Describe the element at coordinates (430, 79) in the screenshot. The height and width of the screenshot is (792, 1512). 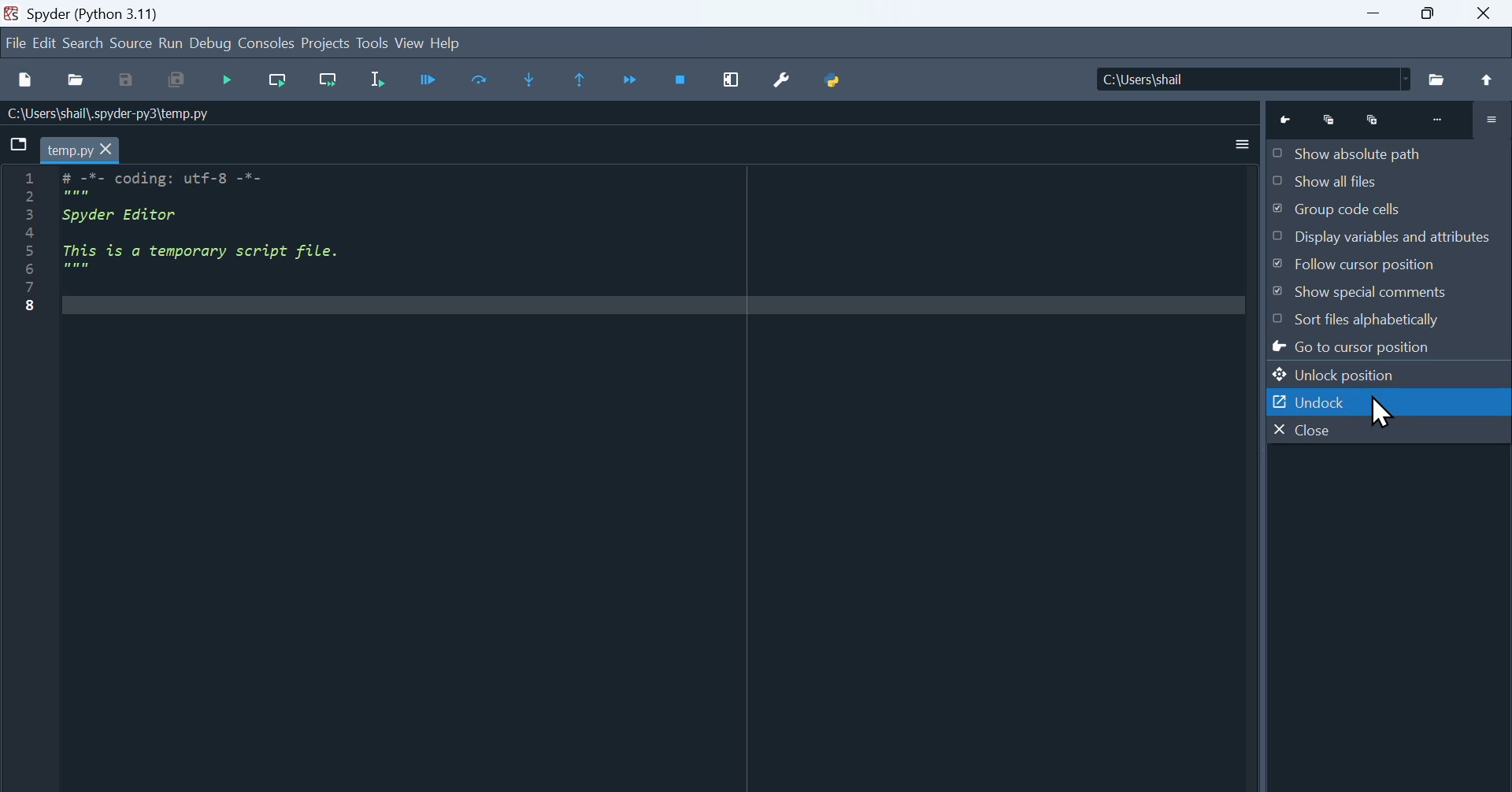
I see `Run` at that location.